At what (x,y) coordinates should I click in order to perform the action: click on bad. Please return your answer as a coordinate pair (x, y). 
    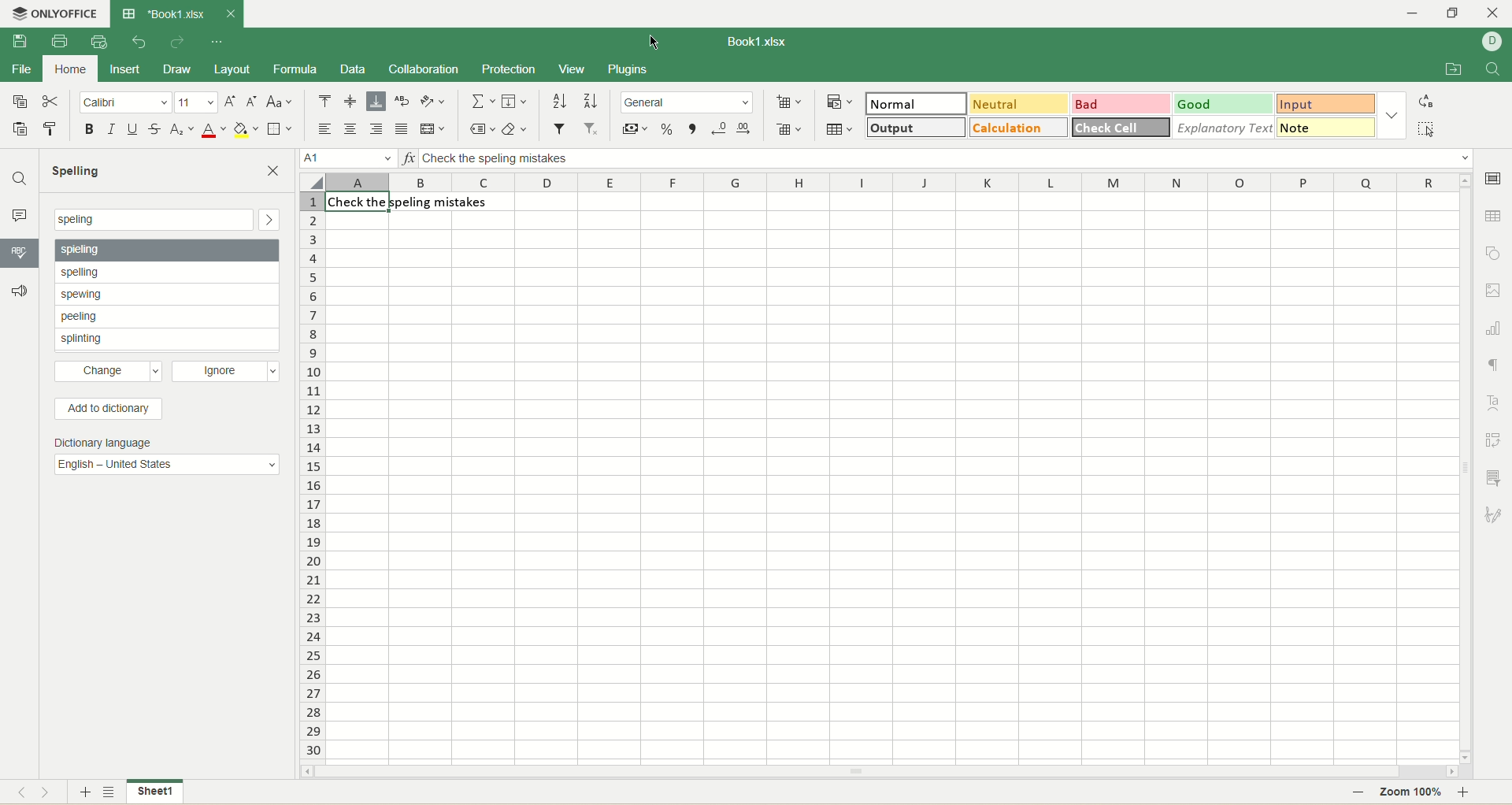
    Looking at the image, I should click on (1121, 103).